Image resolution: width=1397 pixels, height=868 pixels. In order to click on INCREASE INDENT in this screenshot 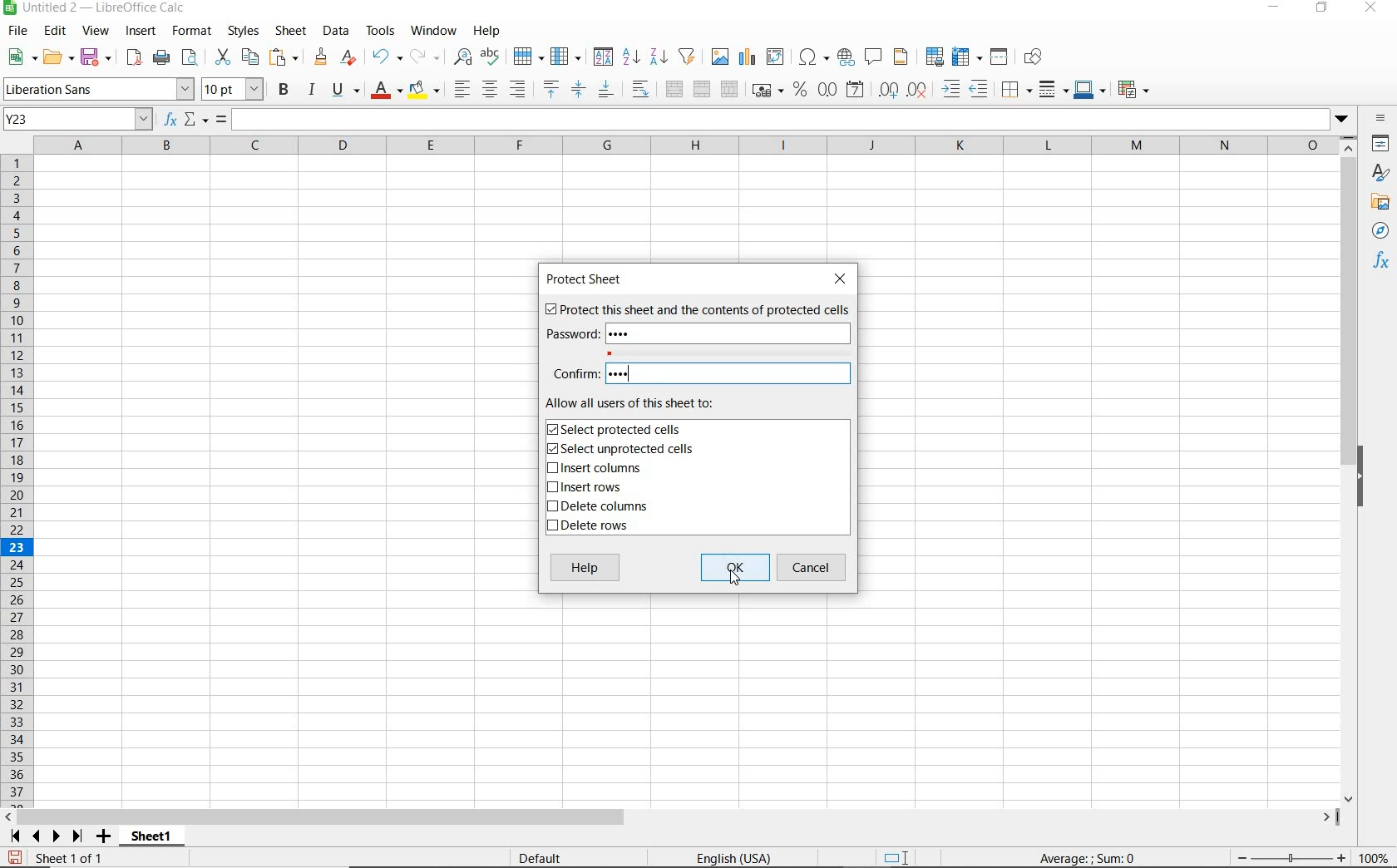, I will do `click(951, 91)`.